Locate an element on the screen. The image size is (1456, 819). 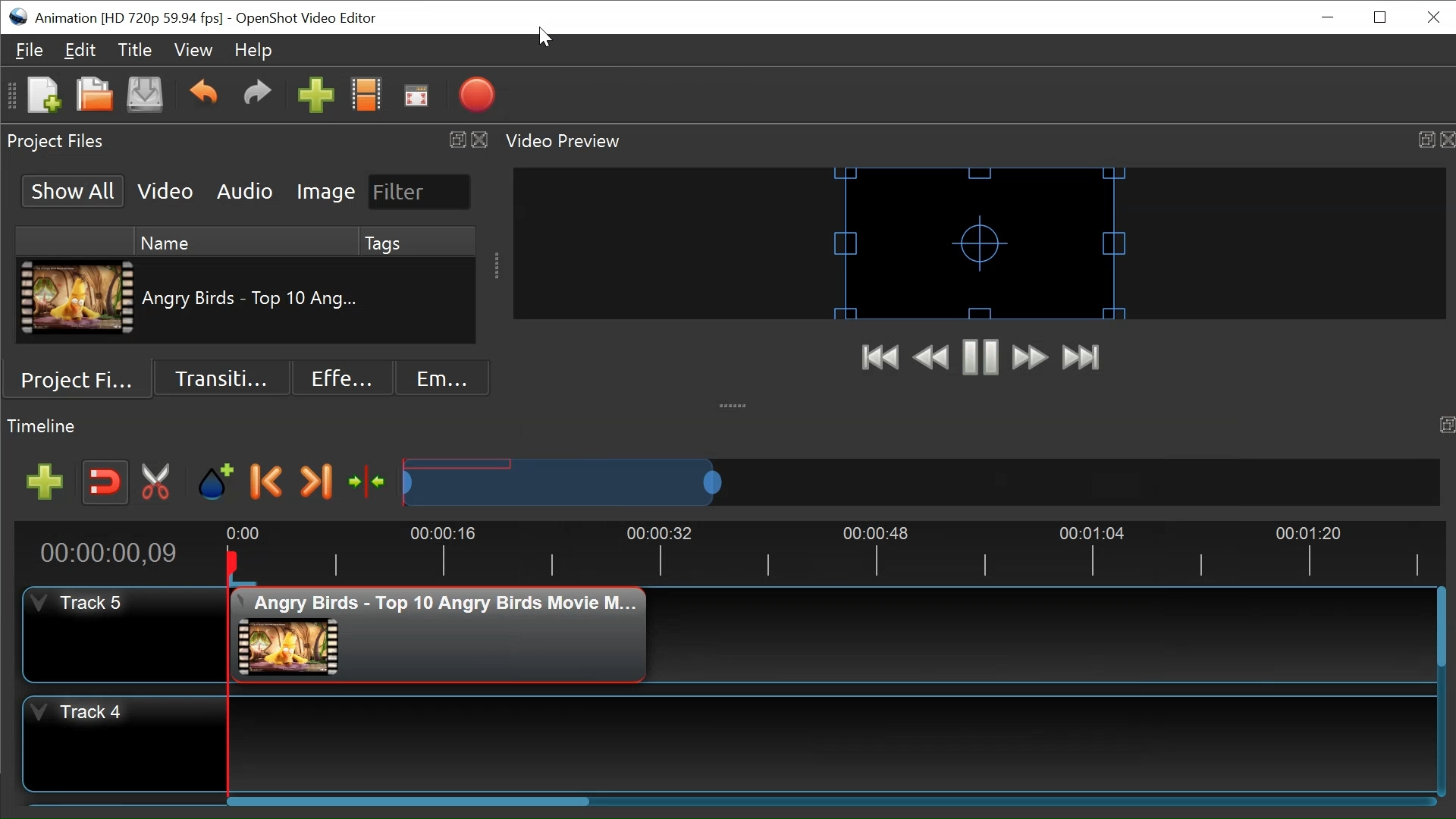
Open Project is located at coordinates (93, 95).